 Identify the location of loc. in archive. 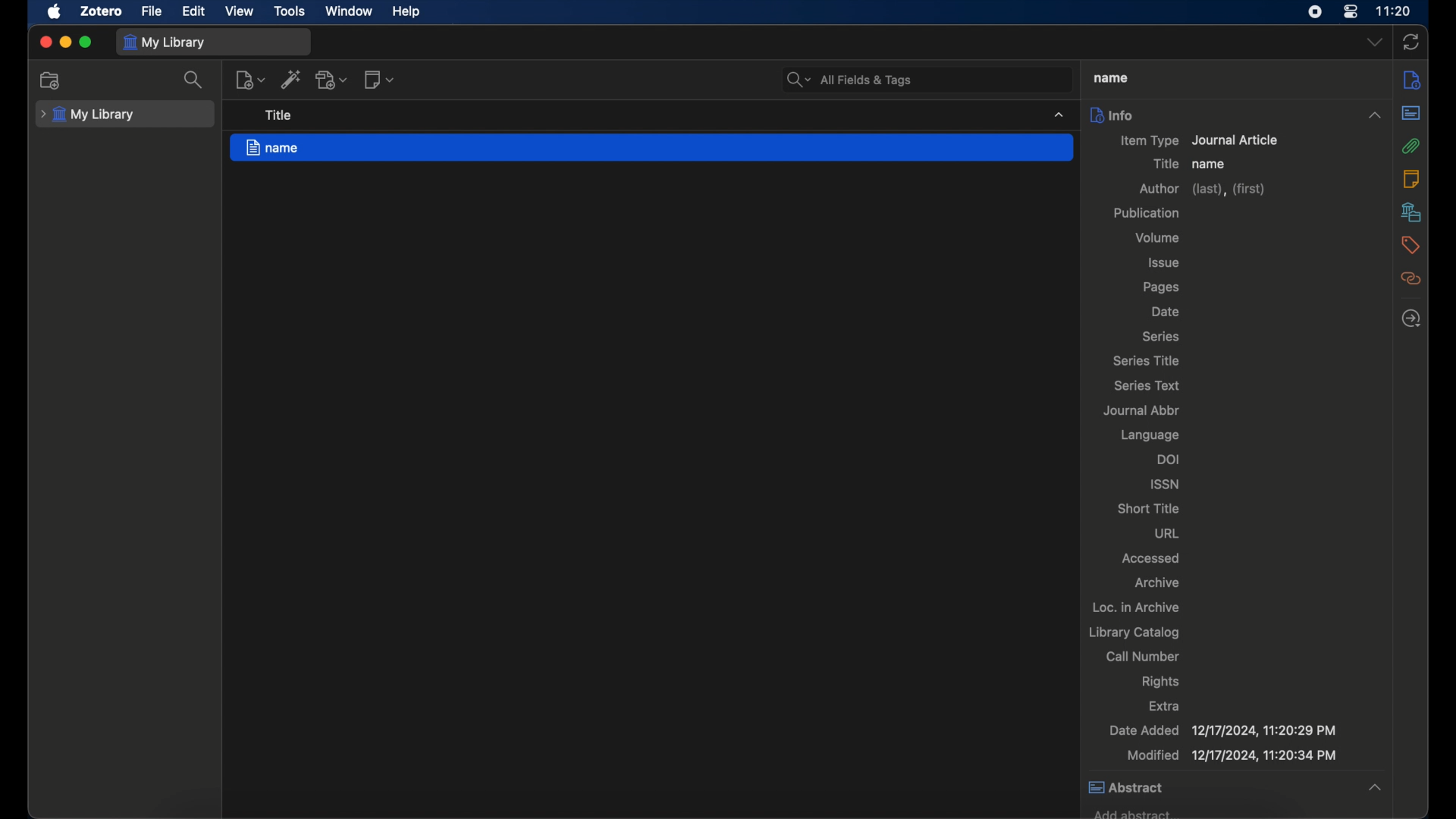
(1137, 607).